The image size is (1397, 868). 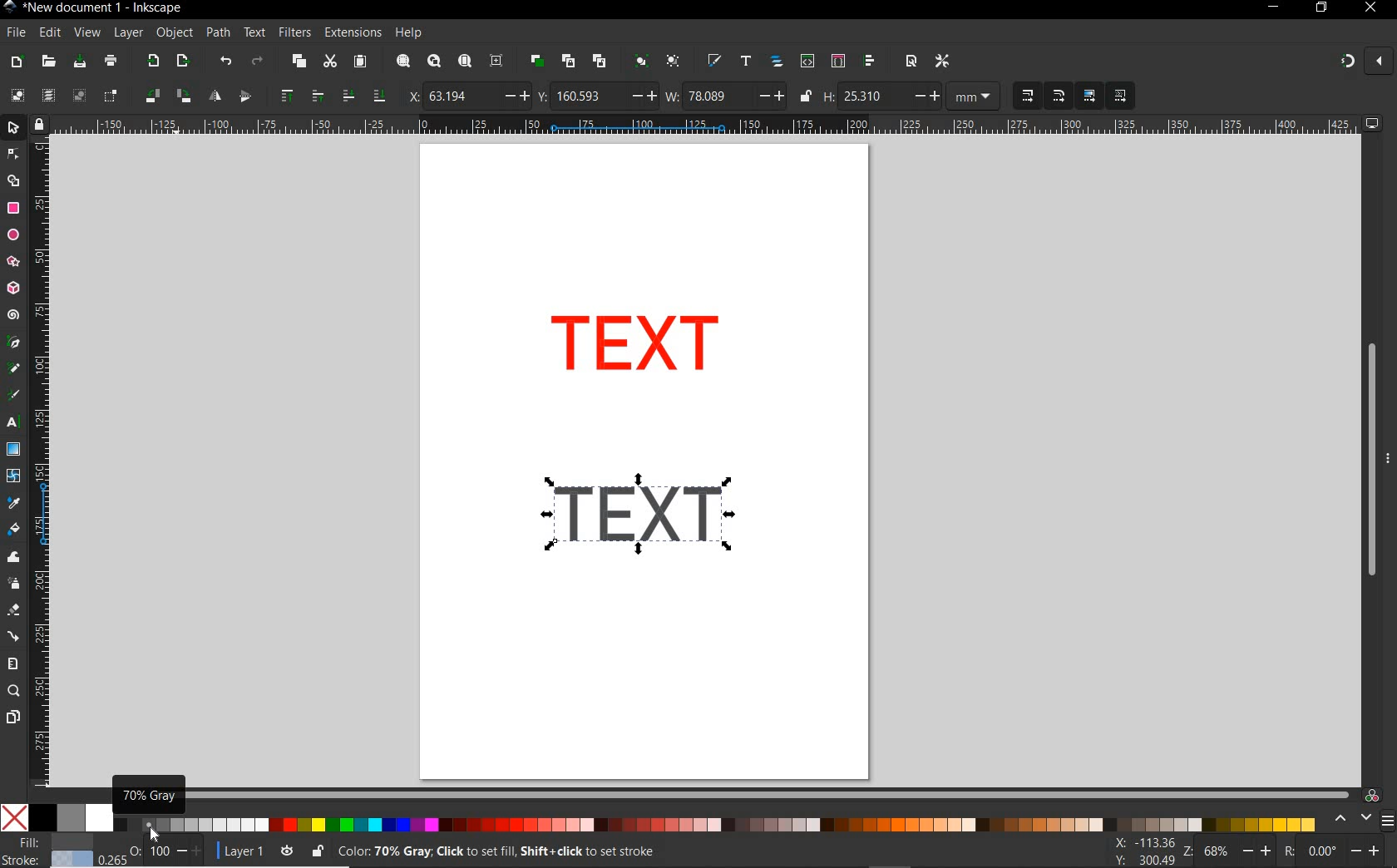 What do you see at coordinates (1119, 96) in the screenshot?
I see `MOVE PATTERNS` at bounding box center [1119, 96].